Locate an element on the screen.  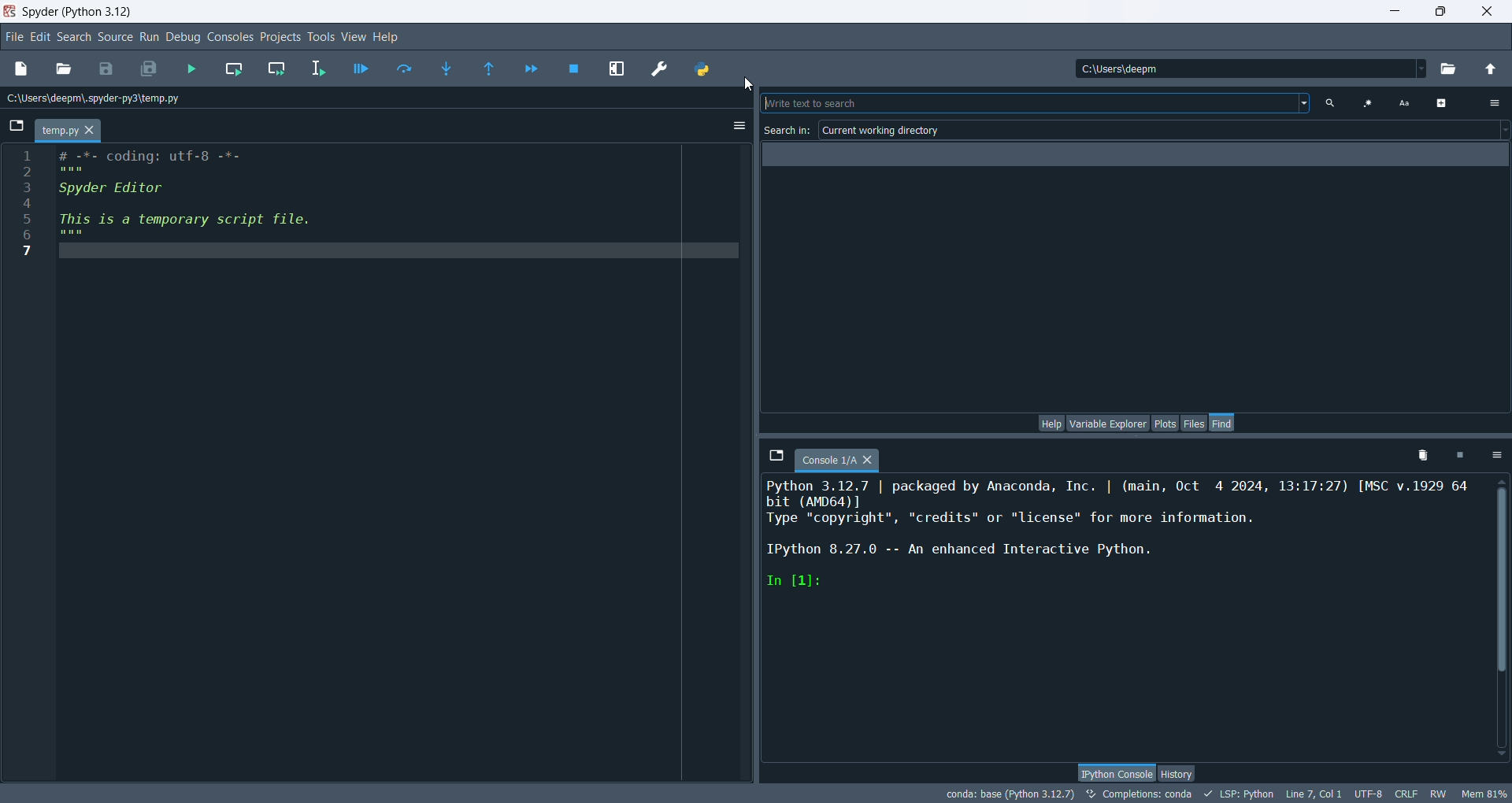
completions: conda is located at coordinates (1137, 794).